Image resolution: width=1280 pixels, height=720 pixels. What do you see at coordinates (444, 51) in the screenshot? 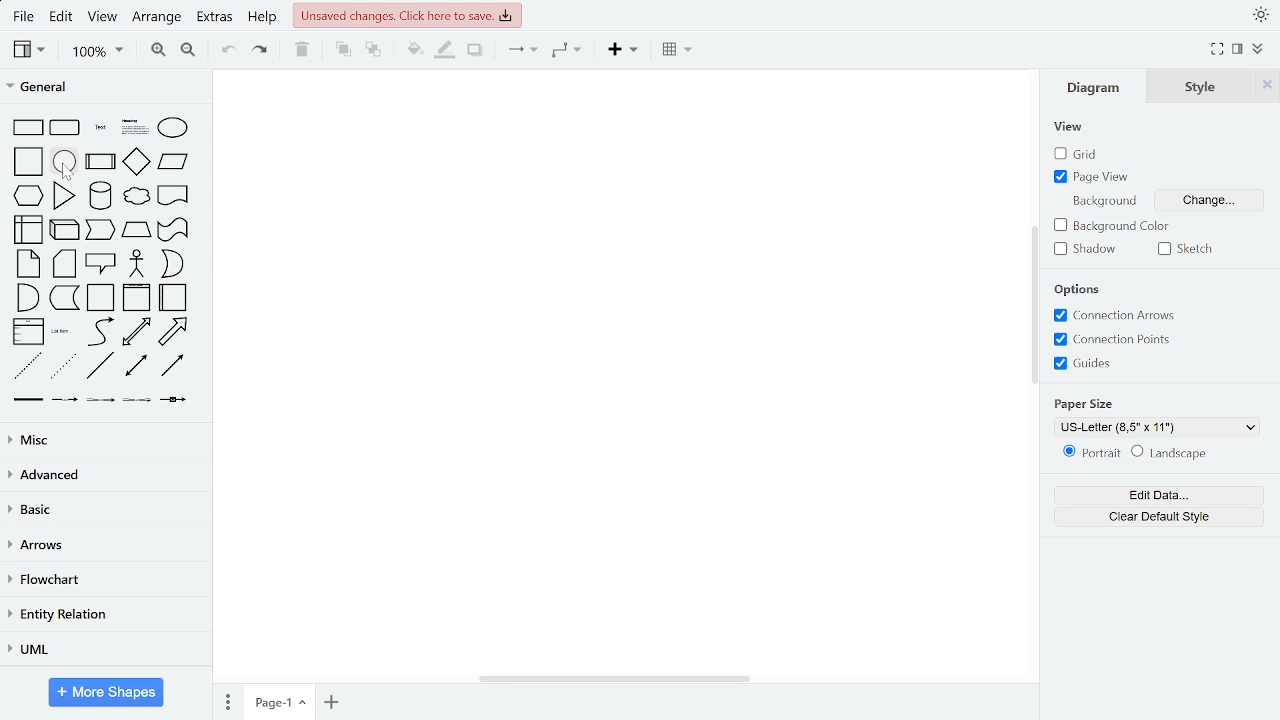
I see `fill line` at bounding box center [444, 51].